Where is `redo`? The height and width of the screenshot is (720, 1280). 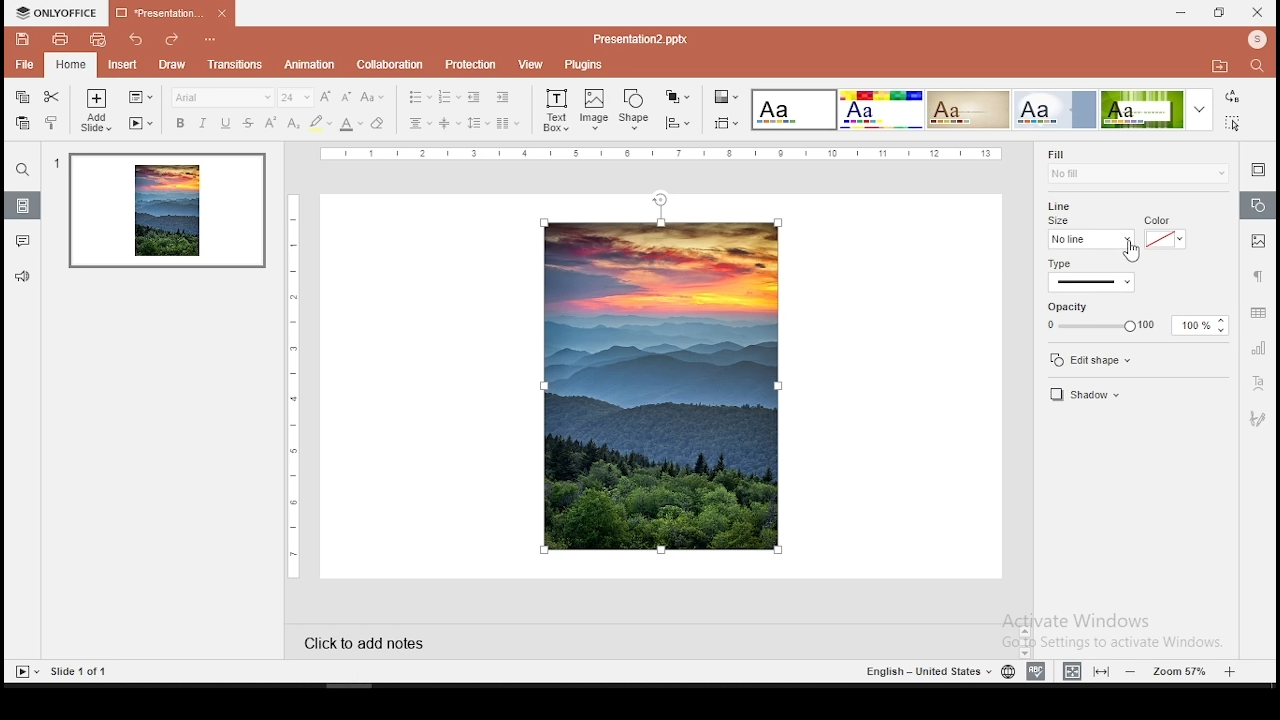 redo is located at coordinates (172, 41).